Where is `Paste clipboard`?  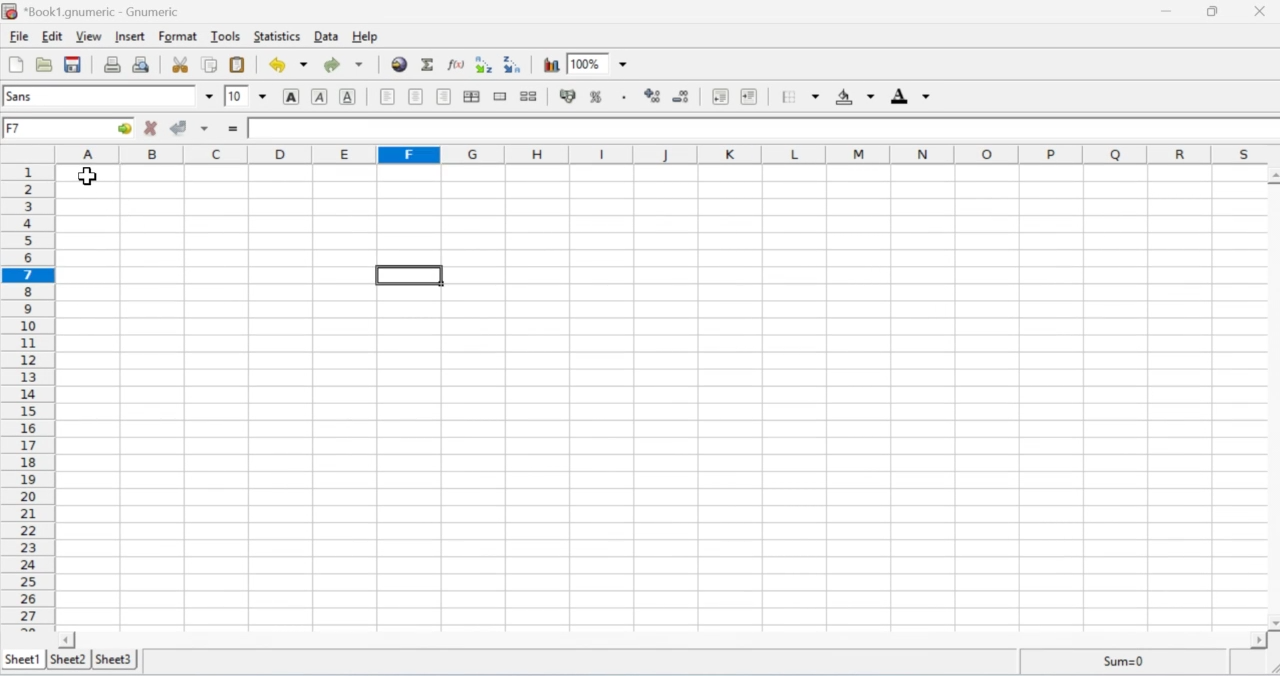 Paste clipboard is located at coordinates (238, 65).